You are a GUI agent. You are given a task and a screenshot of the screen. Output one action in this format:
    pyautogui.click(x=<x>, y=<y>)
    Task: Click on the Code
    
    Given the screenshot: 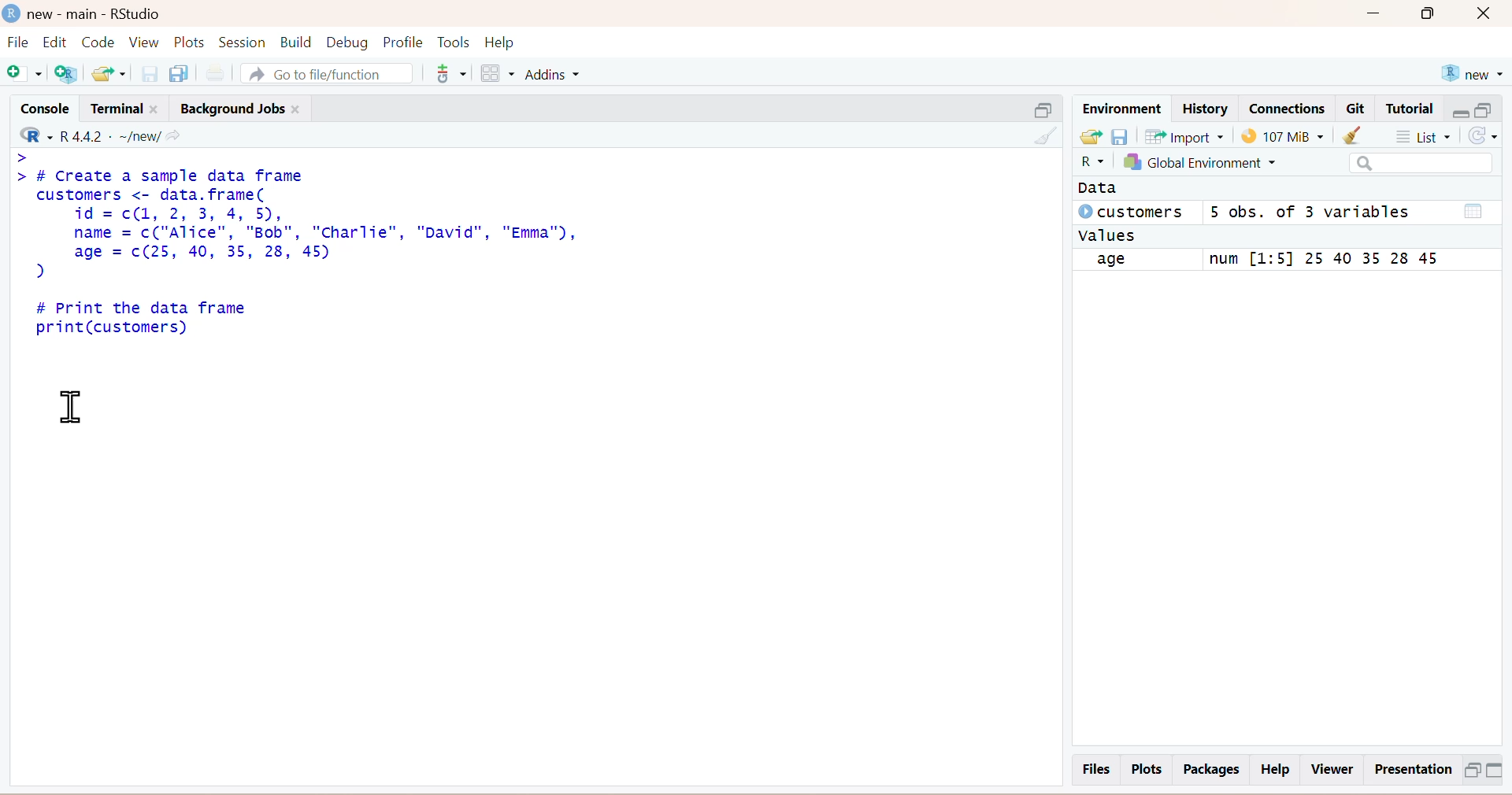 What is the action you would take?
    pyautogui.click(x=100, y=42)
    